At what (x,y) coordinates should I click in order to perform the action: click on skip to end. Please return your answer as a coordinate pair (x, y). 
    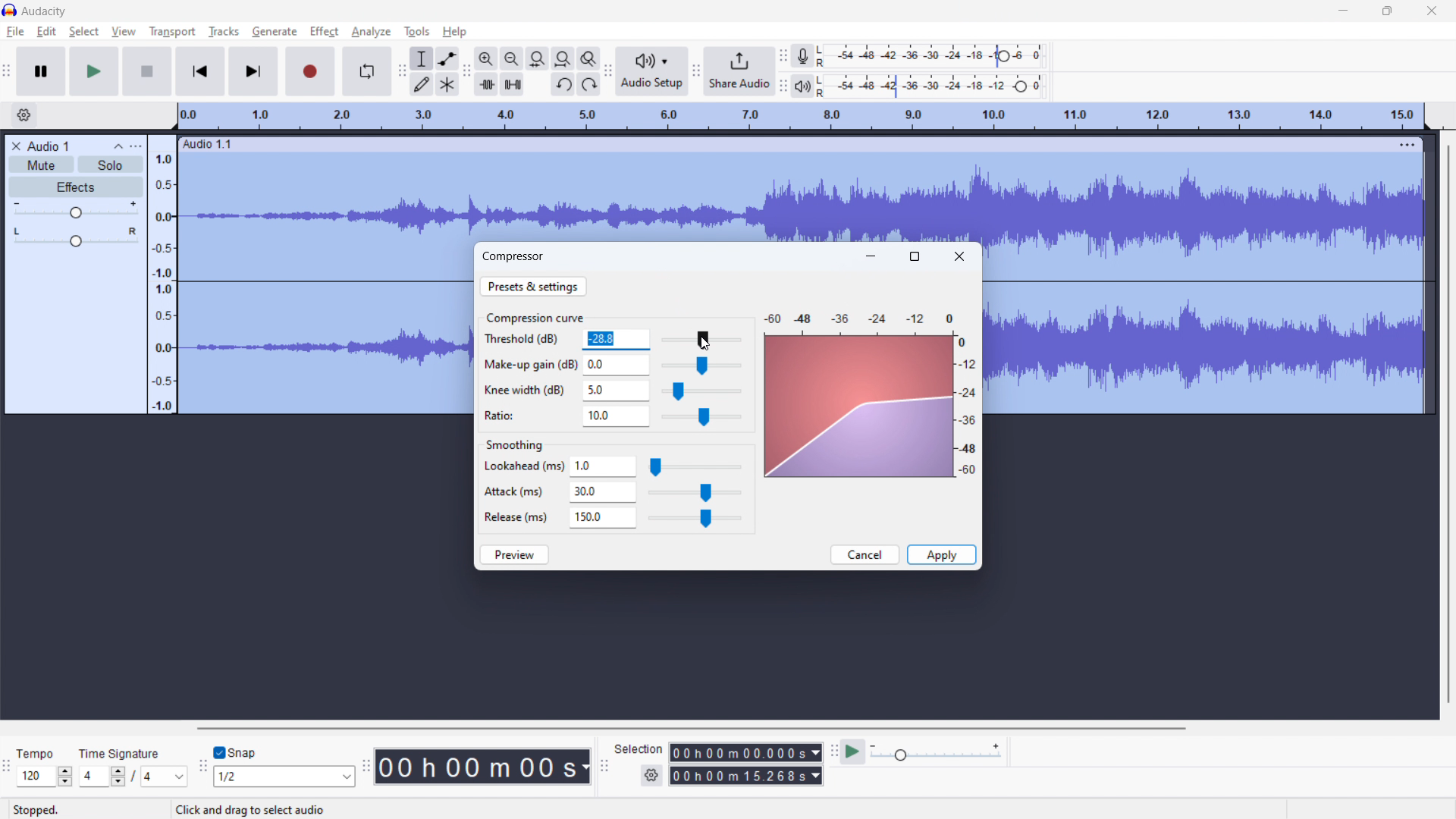
    Looking at the image, I should click on (255, 72).